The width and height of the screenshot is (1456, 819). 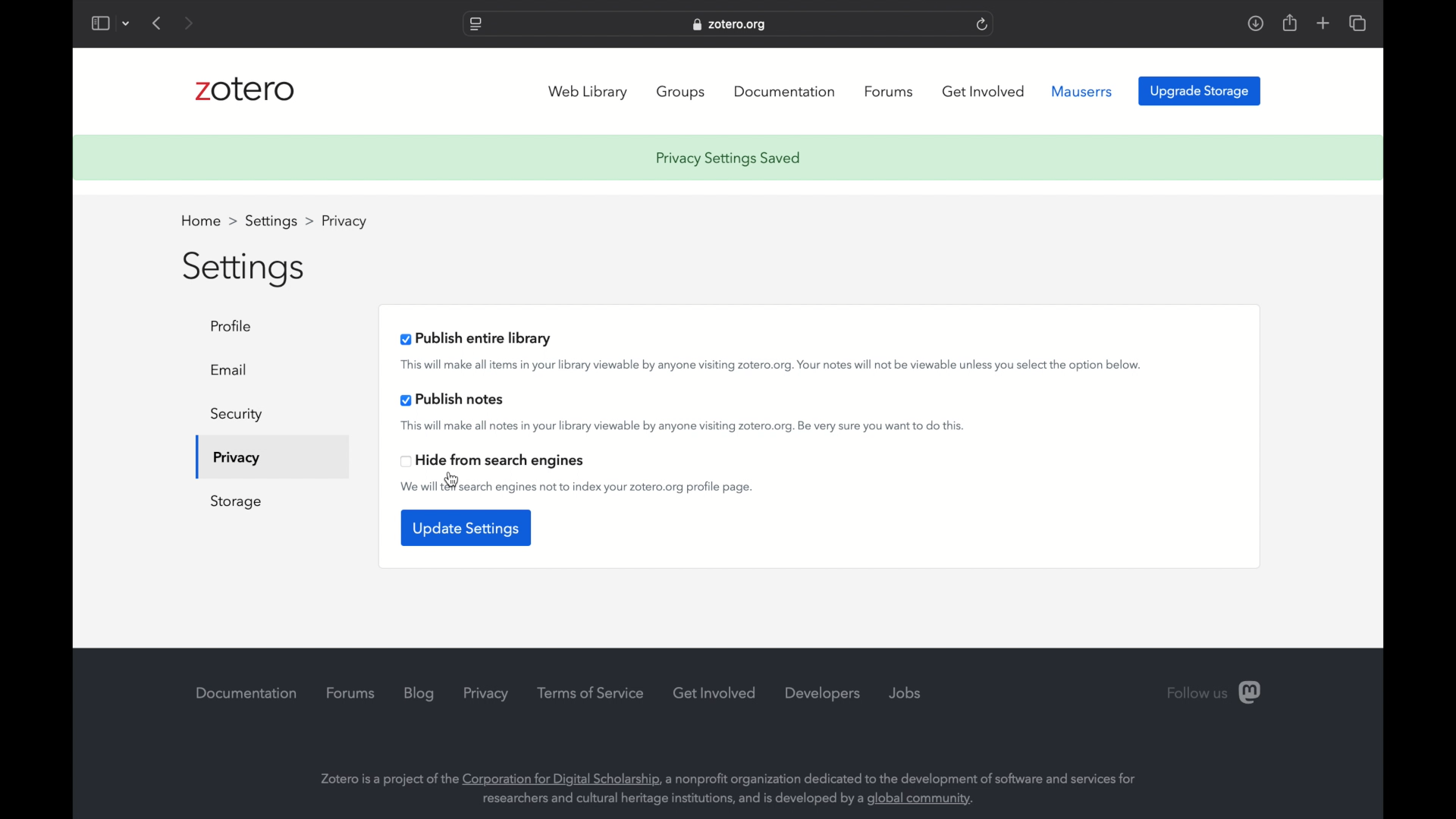 What do you see at coordinates (231, 368) in the screenshot?
I see `email` at bounding box center [231, 368].